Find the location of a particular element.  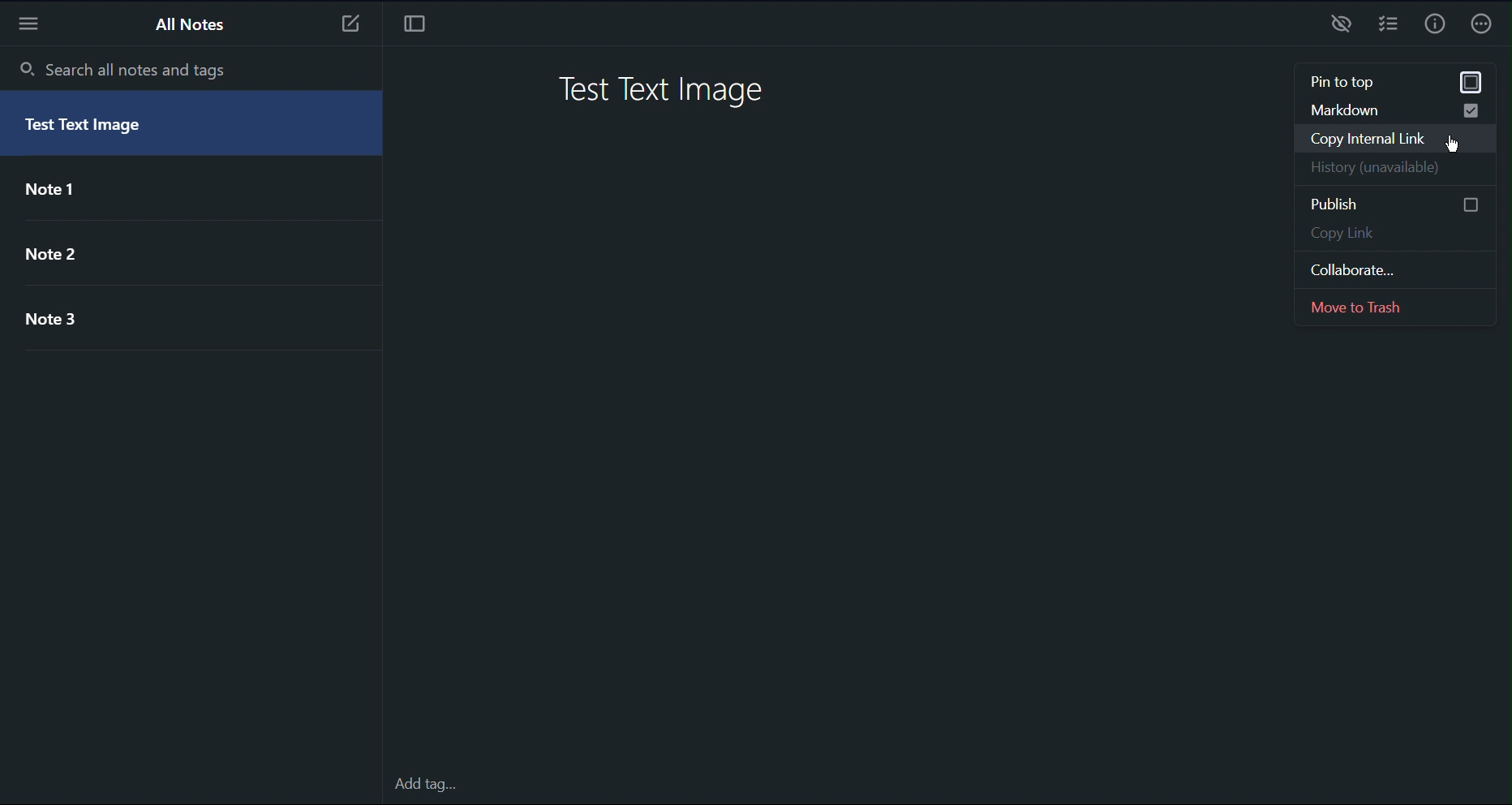

Note 1 is located at coordinates (62, 191).